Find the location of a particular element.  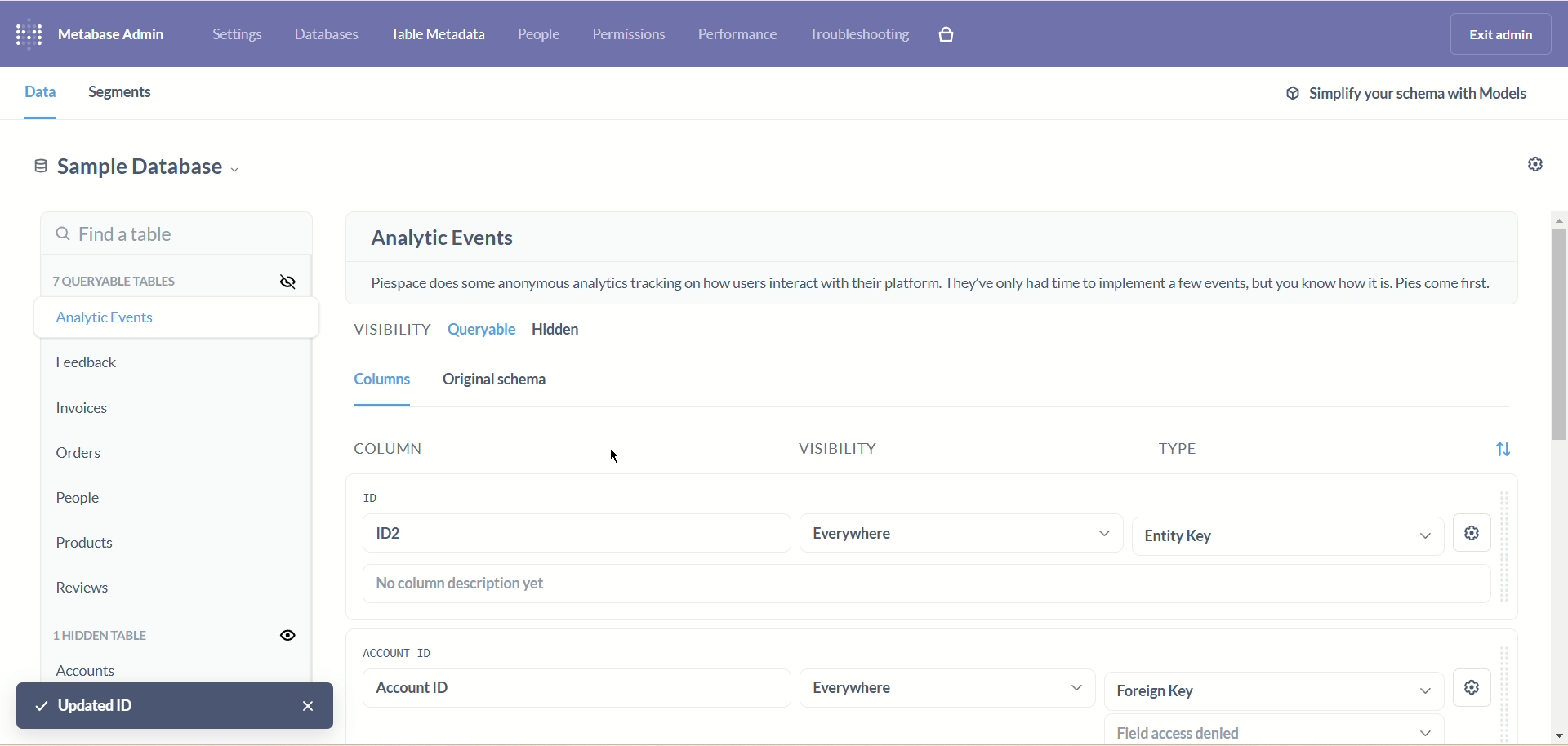

Foreign Key is located at coordinates (1270, 690).